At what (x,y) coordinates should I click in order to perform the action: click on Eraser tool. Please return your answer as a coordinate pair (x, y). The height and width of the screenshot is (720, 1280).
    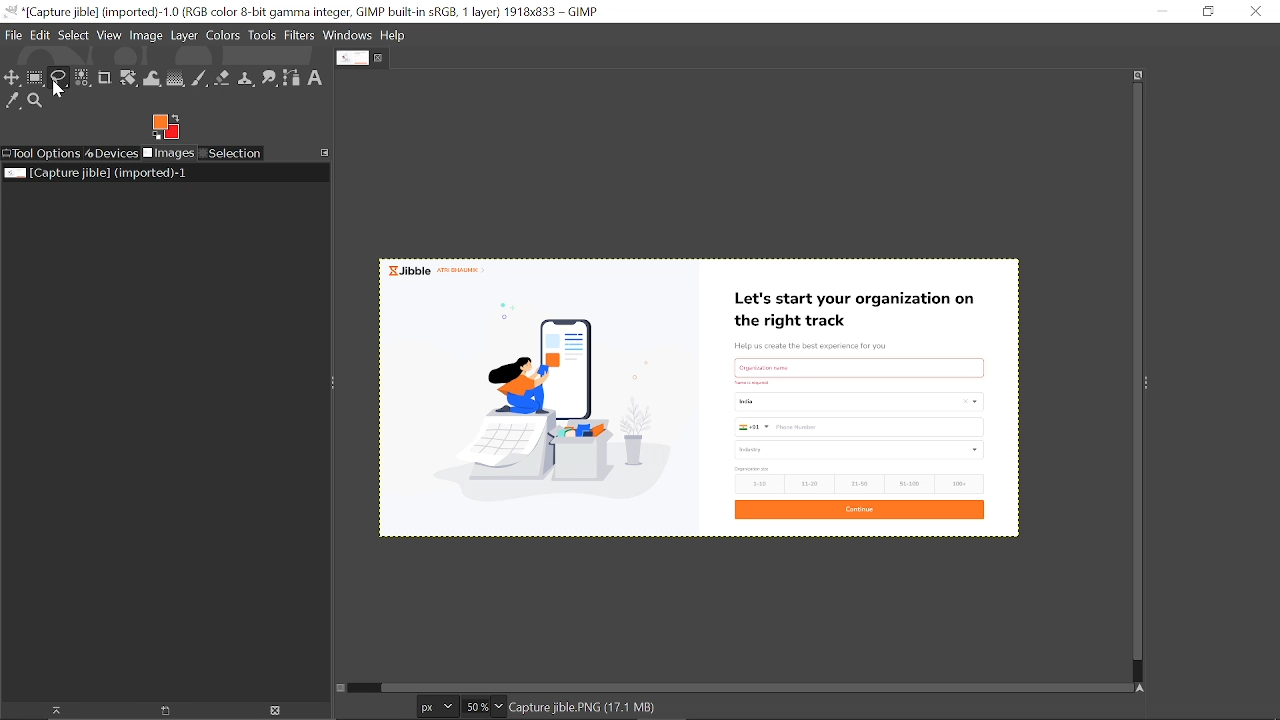
    Looking at the image, I should click on (222, 78).